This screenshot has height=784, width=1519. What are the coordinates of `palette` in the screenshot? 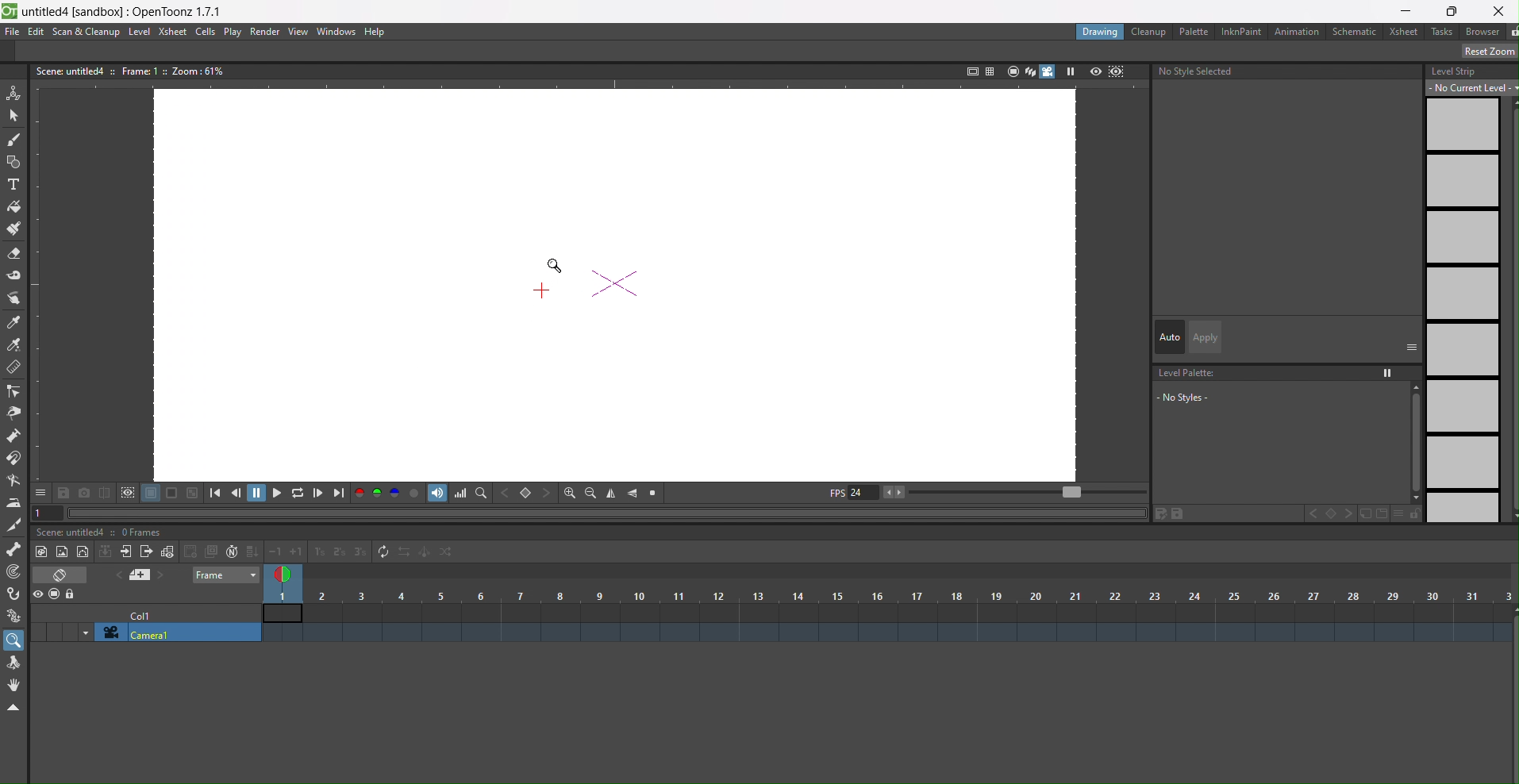 It's located at (1193, 31).